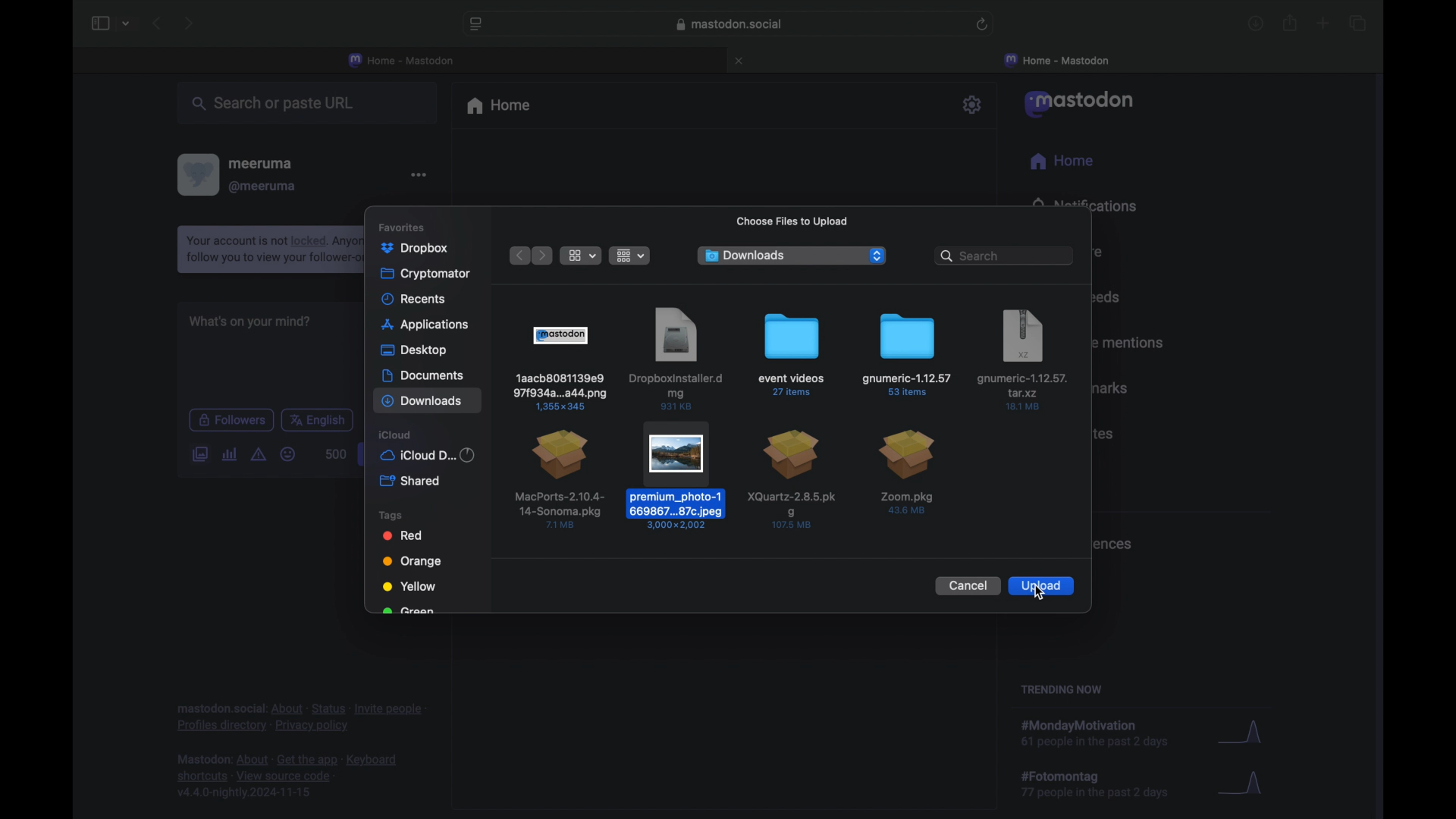 This screenshot has width=1456, height=819. I want to click on next, so click(190, 23).